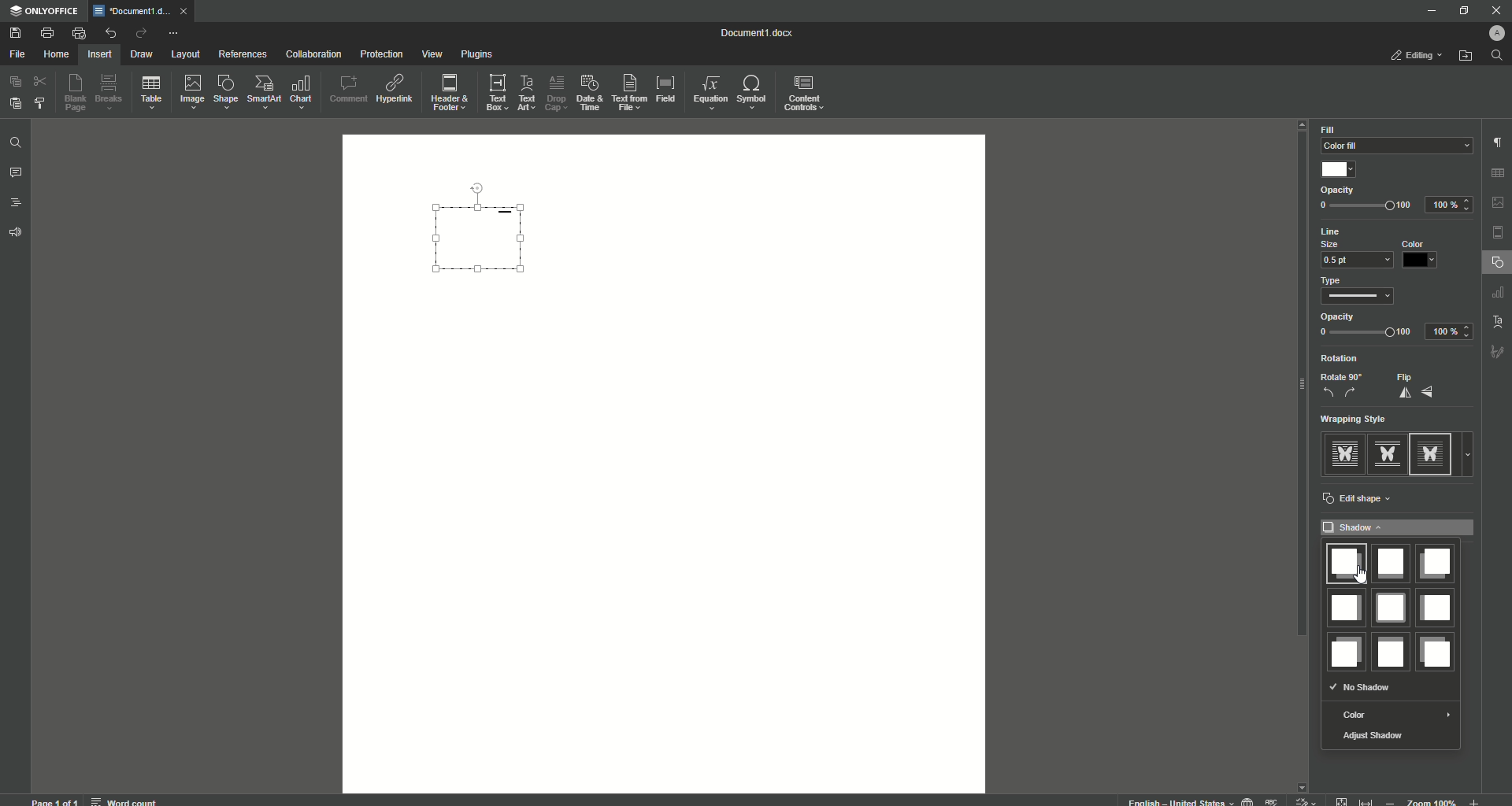  What do you see at coordinates (98, 54) in the screenshot?
I see `Insert` at bounding box center [98, 54].